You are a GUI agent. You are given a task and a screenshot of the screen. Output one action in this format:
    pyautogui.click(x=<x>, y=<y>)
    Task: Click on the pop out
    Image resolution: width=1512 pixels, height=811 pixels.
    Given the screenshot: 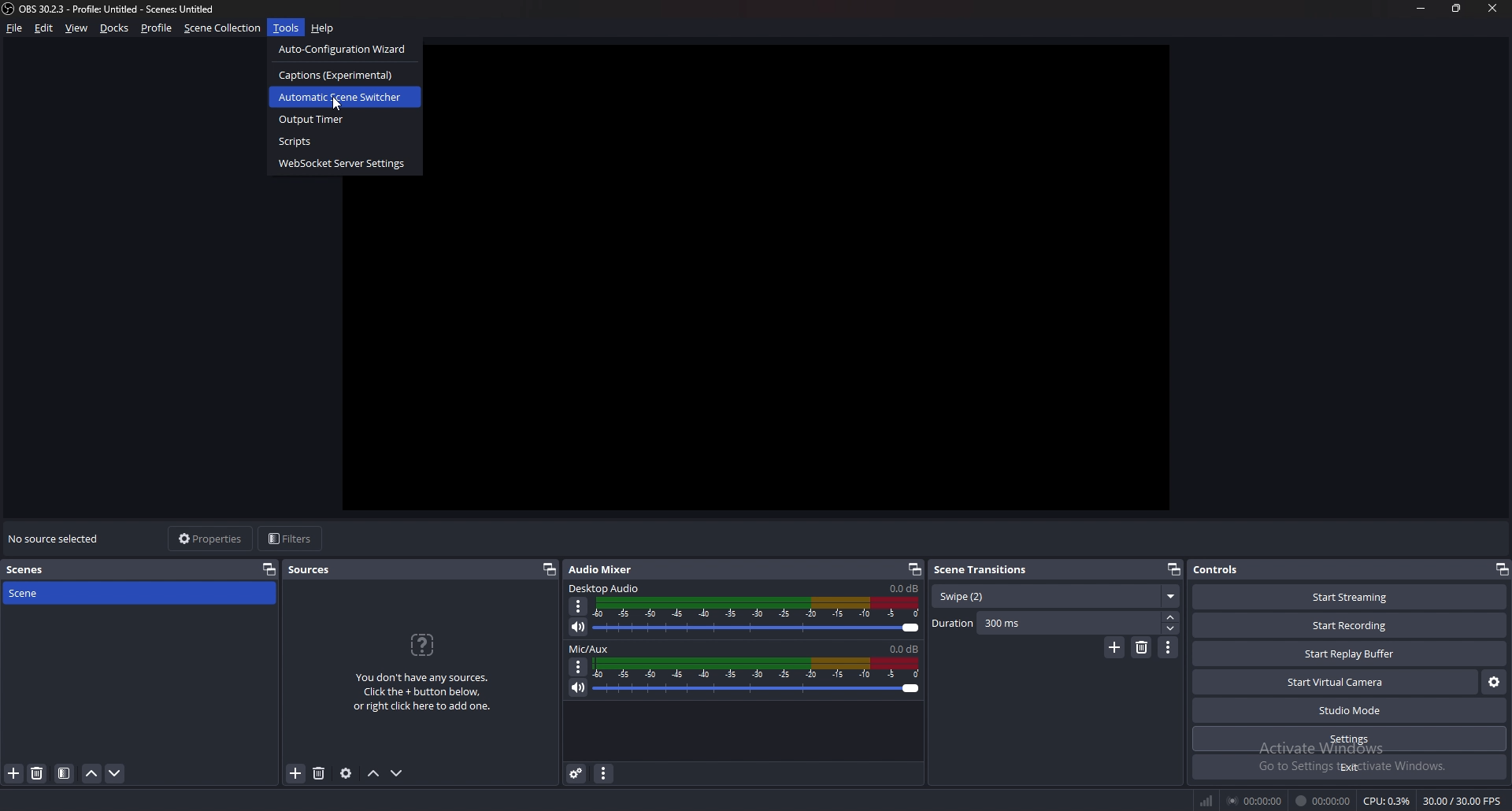 What is the action you would take?
    pyautogui.click(x=1501, y=569)
    